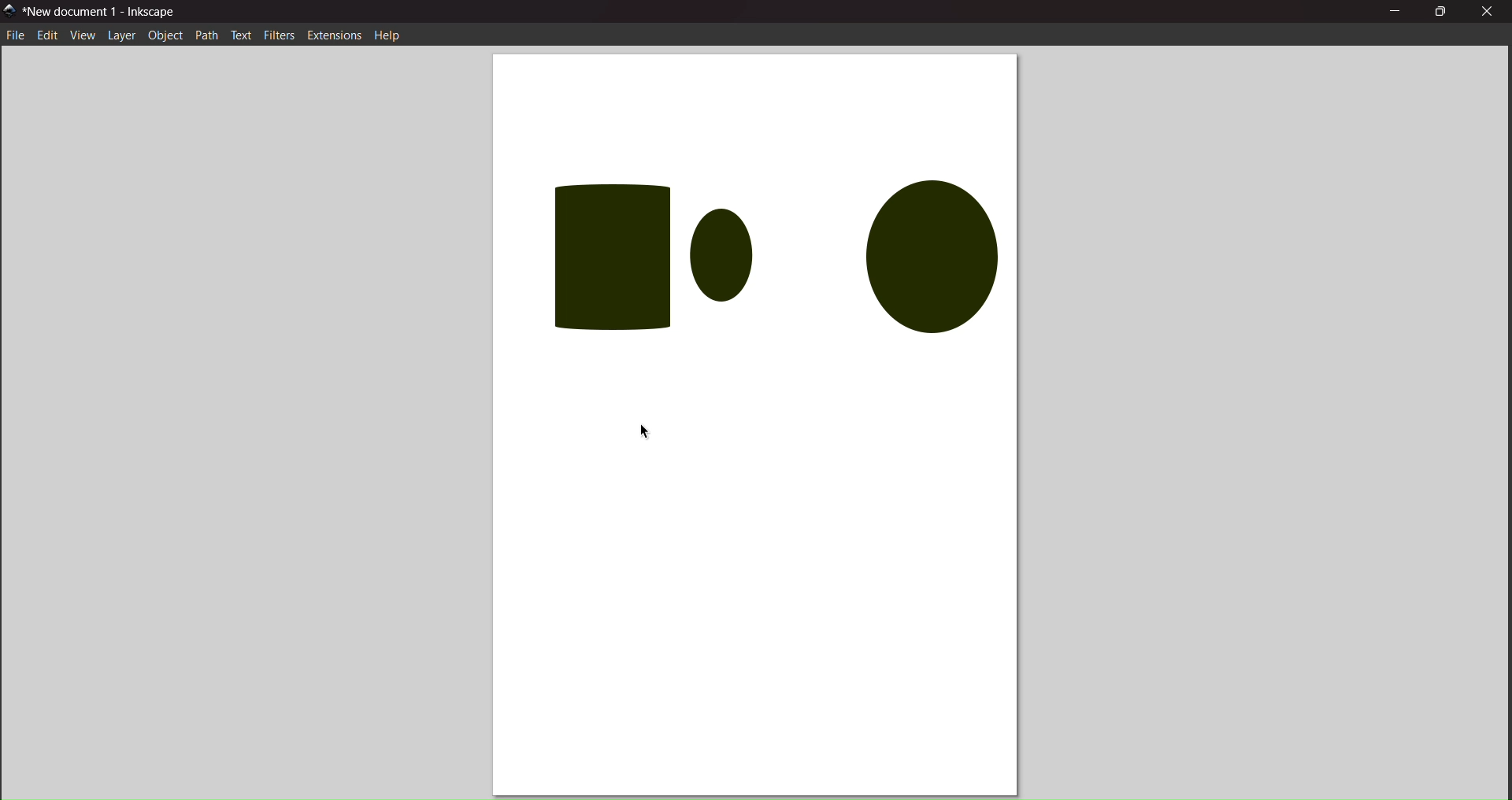 This screenshot has width=1512, height=800. Describe the element at coordinates (82, 36) in the screenshot. I see `view` at that location.